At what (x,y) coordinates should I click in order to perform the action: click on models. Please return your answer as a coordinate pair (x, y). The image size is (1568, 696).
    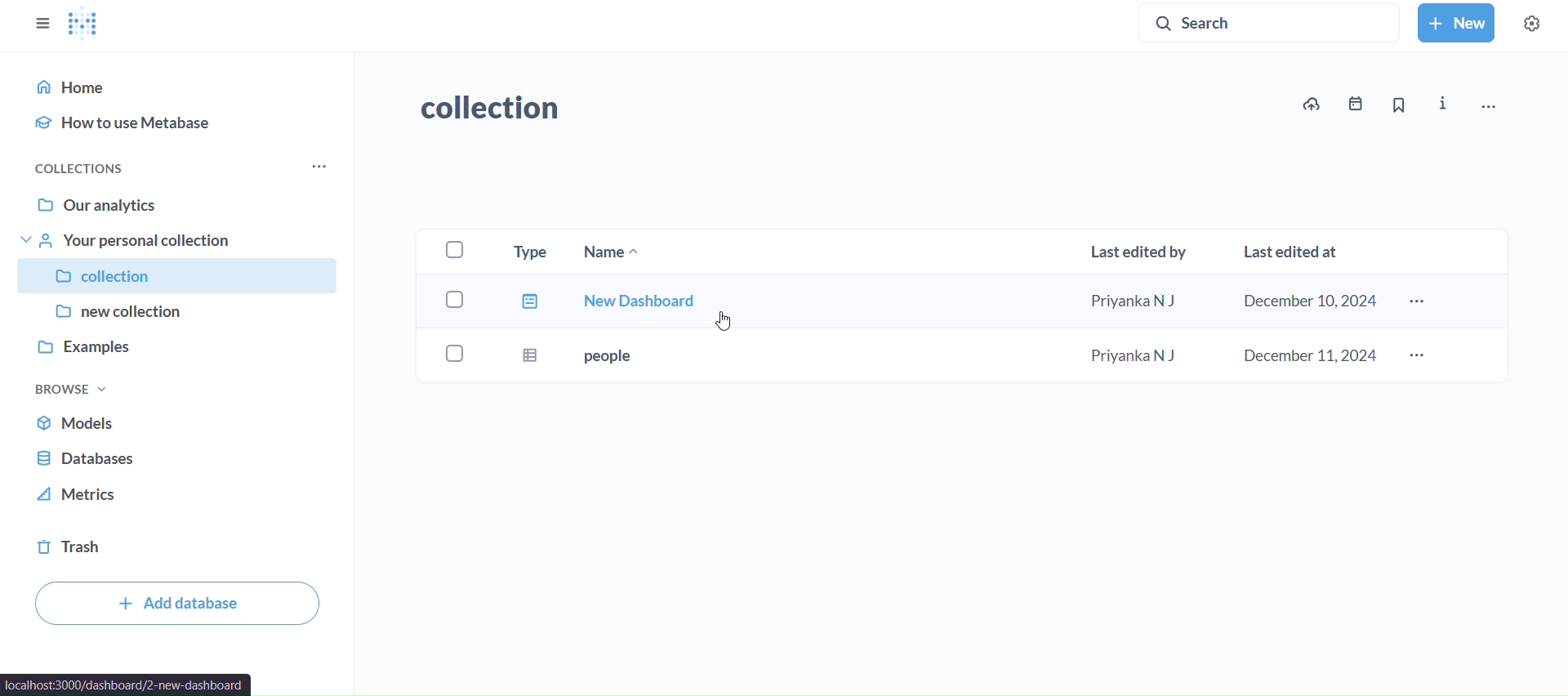
    Looking at the image, I should click on (177, 422).